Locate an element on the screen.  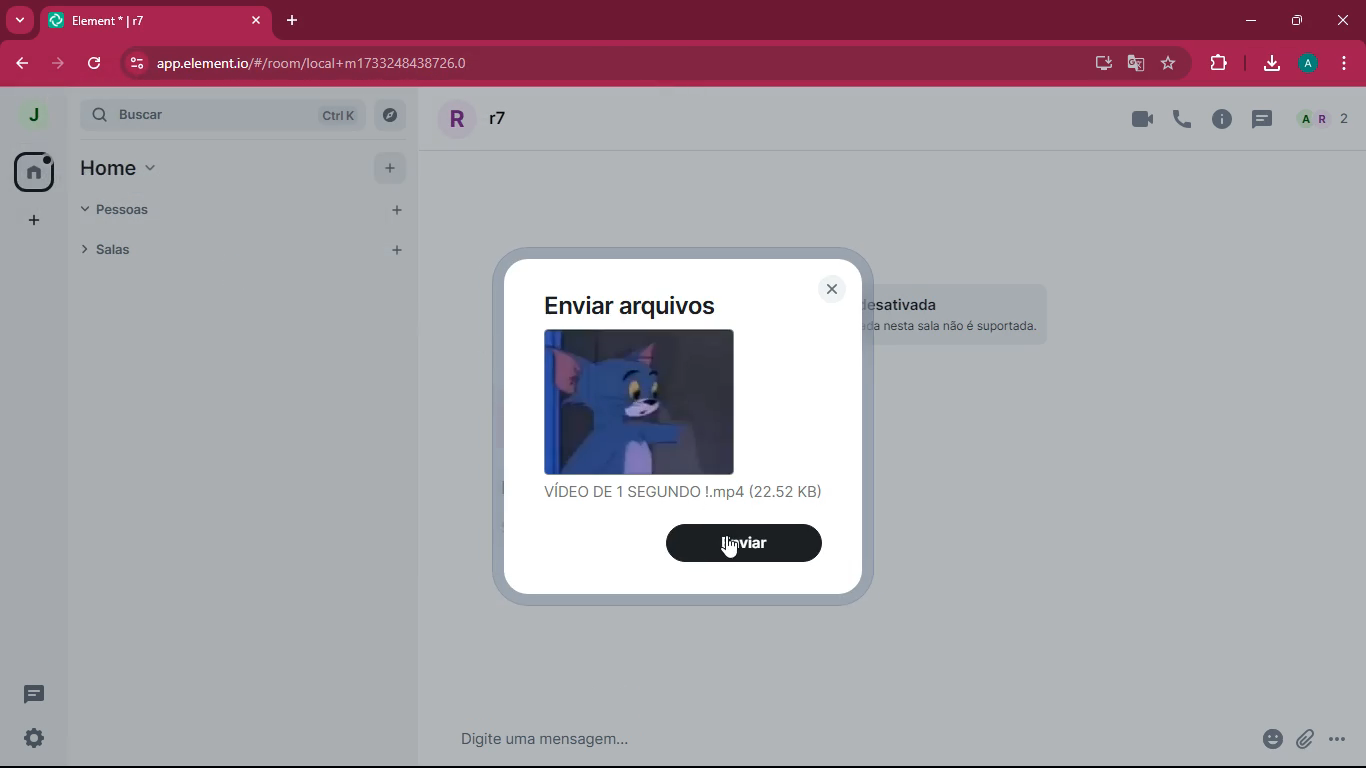
close is located at coordinates (1348, 21).